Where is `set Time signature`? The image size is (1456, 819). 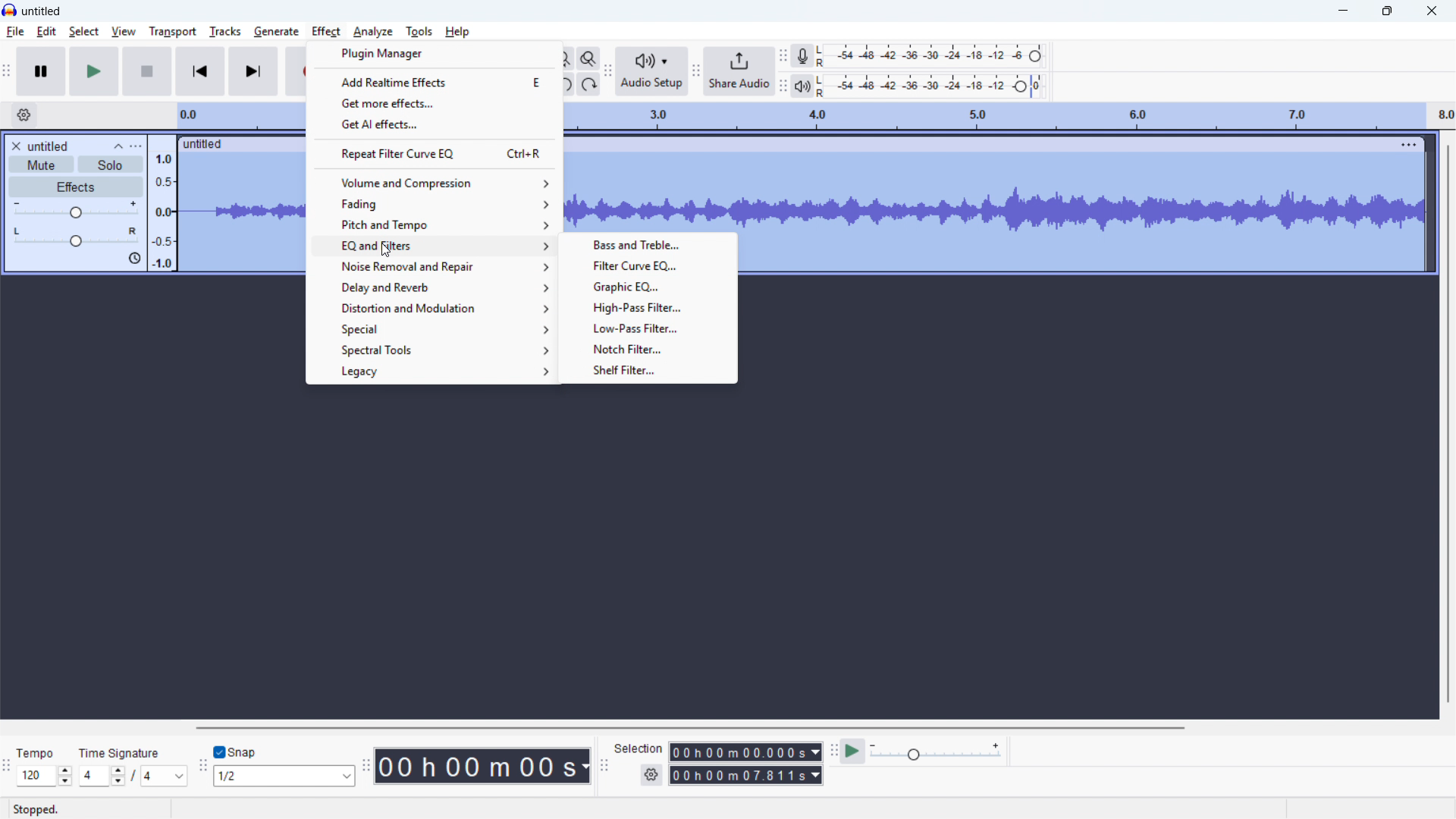 set Time signature is located at coordinates (134, 776).